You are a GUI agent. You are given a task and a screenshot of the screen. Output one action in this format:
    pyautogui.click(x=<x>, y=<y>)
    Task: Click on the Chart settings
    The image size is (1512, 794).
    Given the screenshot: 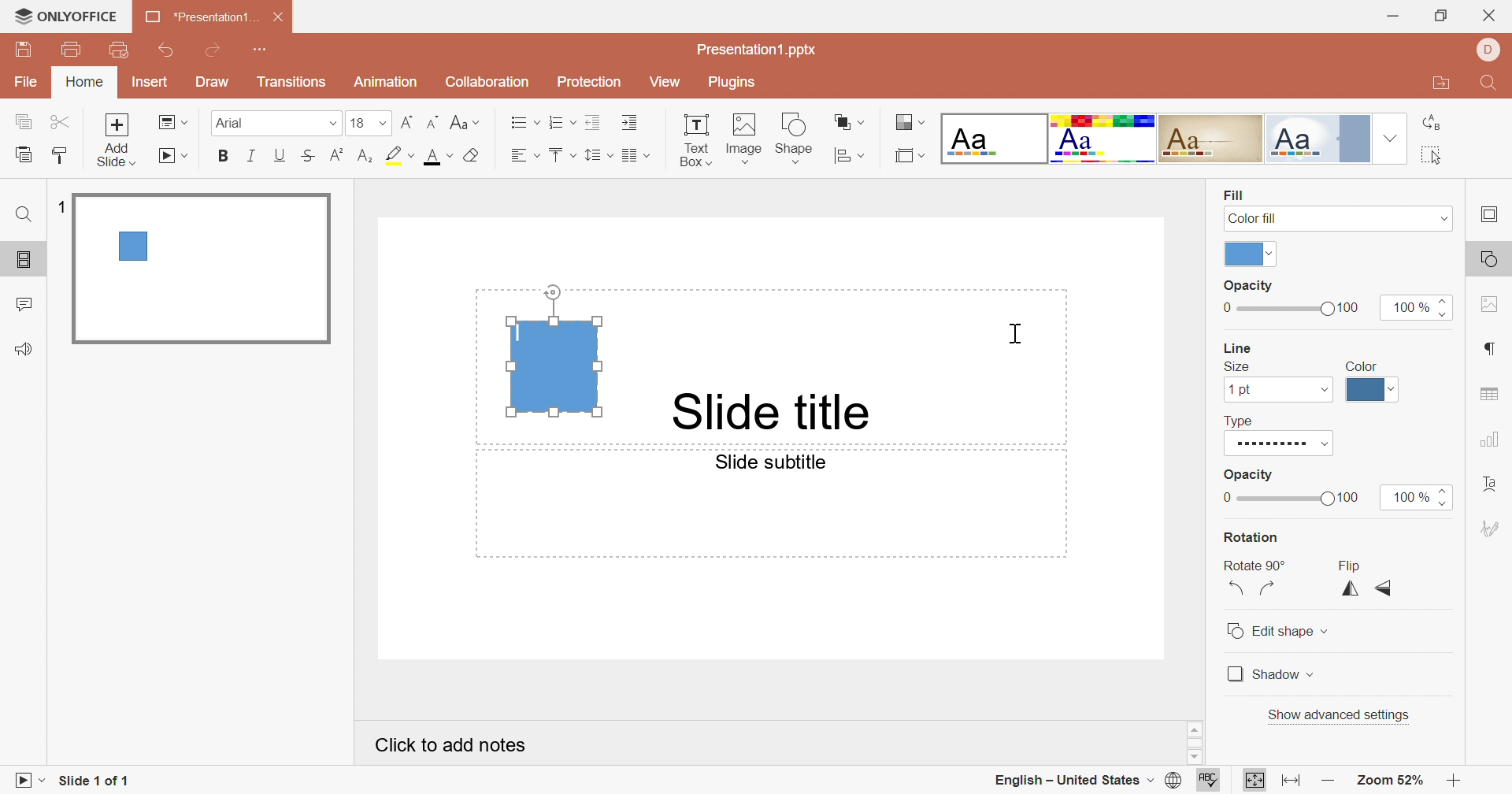 What is the action you would take?
    pyautogui.click(x=1495, y=437)
    